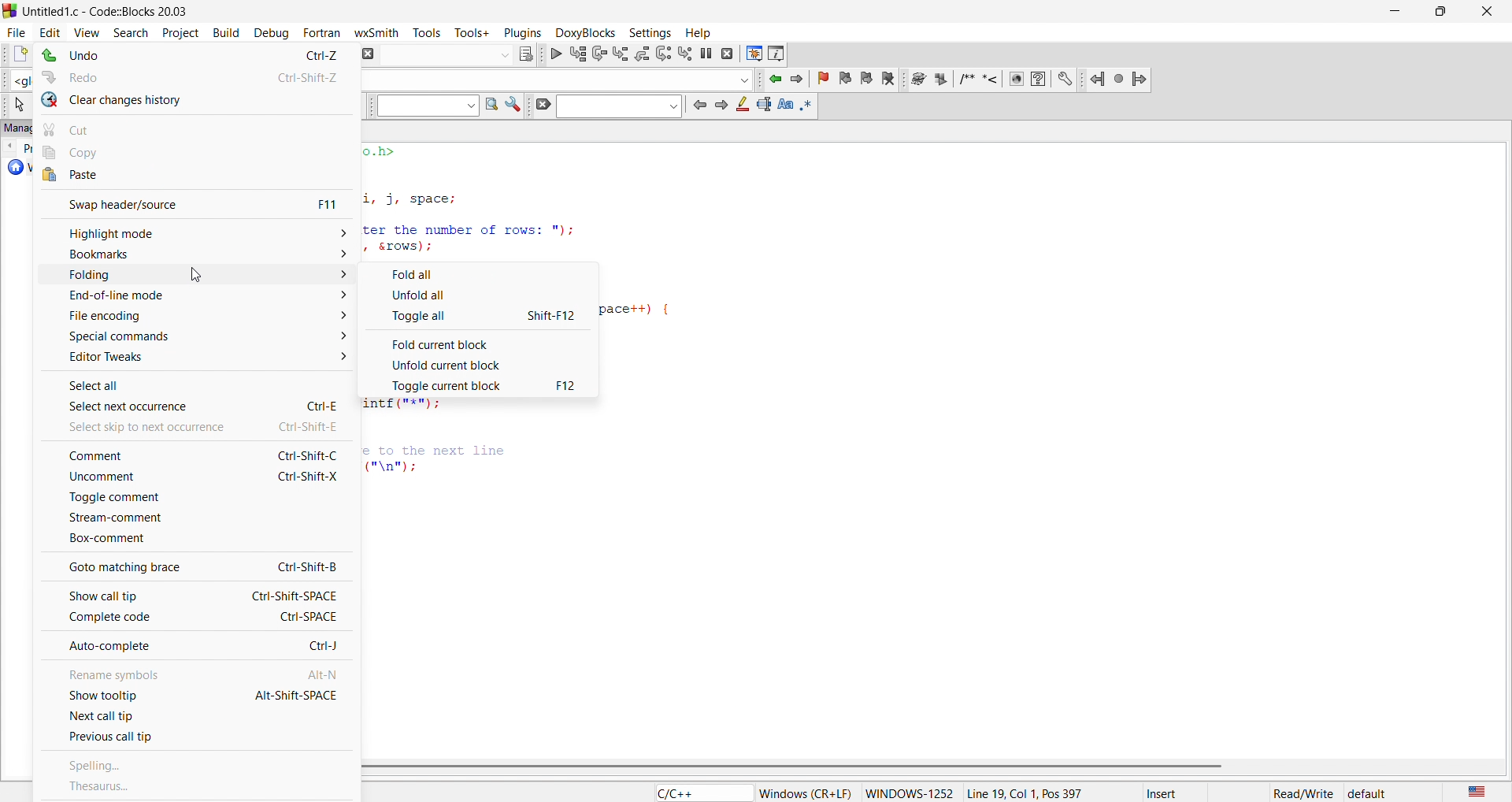  Describe the element at coordinates (189, 479) in the screenshot. I see `uncomment` at that location.